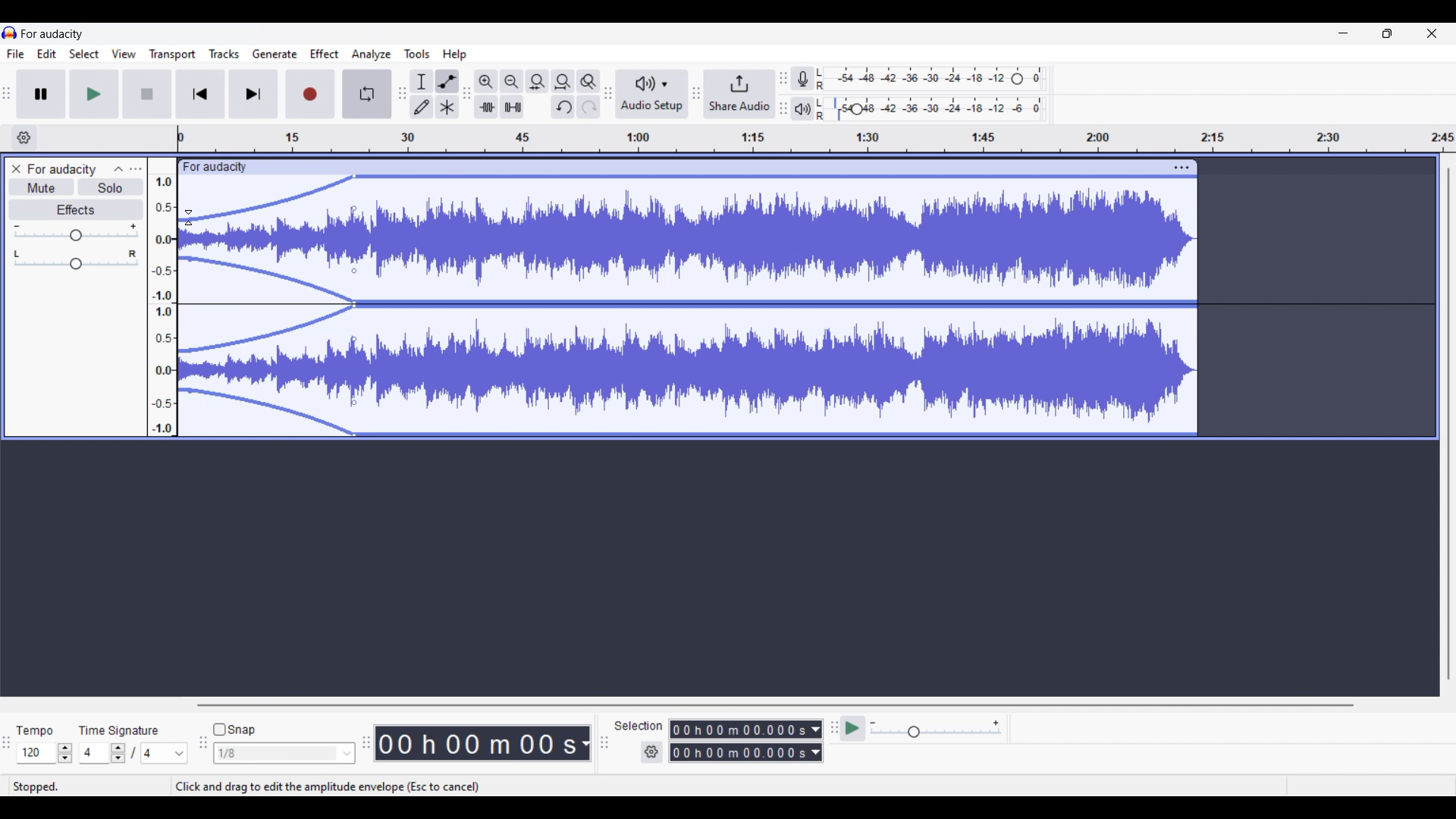 The height and width of the screenshot is (819, 1456). What do you see at coordinates (710, 167) in the screenshot?
I see `click to move` at bounding box center [710, 167].